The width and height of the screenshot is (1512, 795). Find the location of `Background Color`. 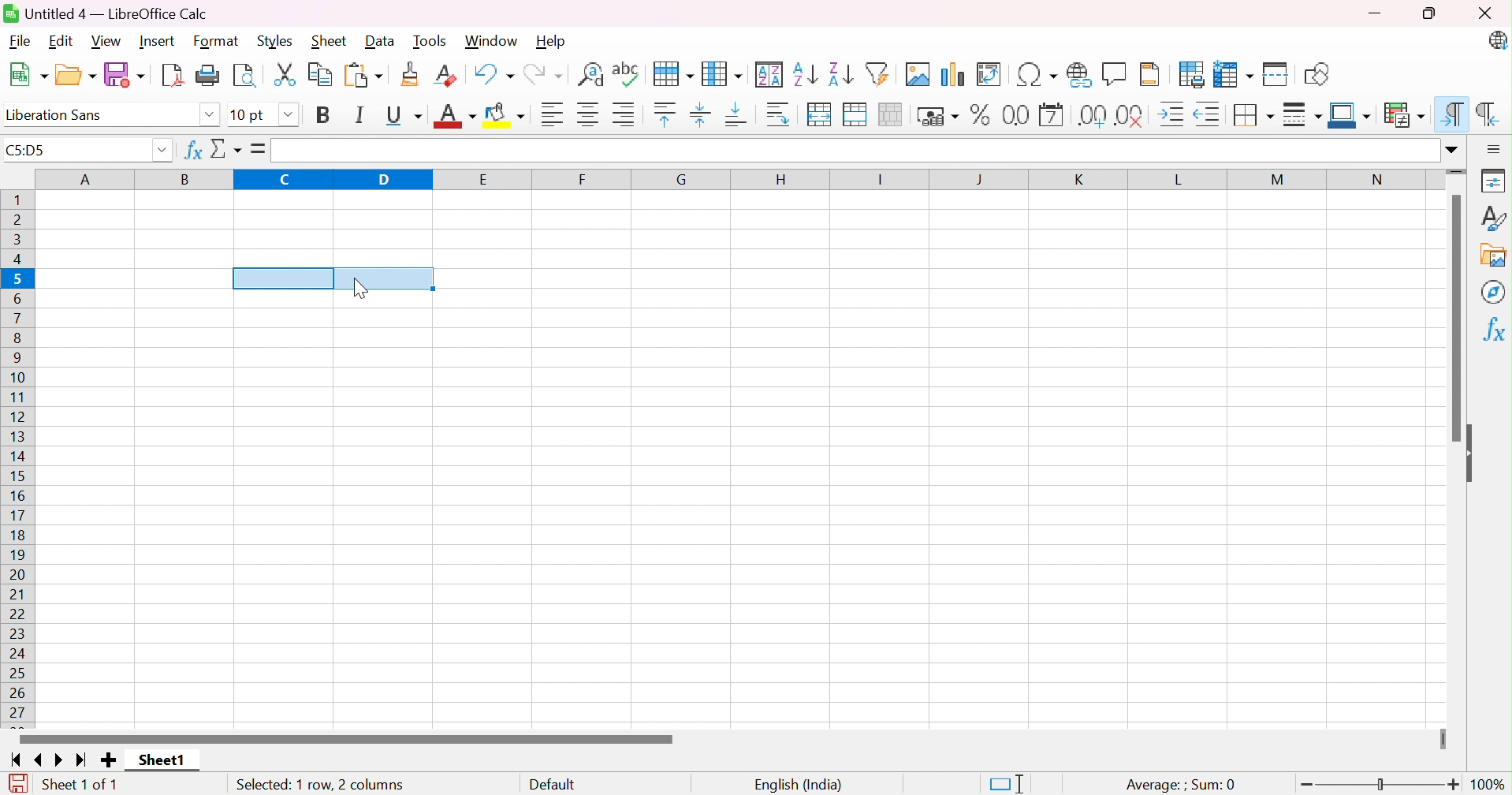

Background Color is located at coordinates (509, 116).